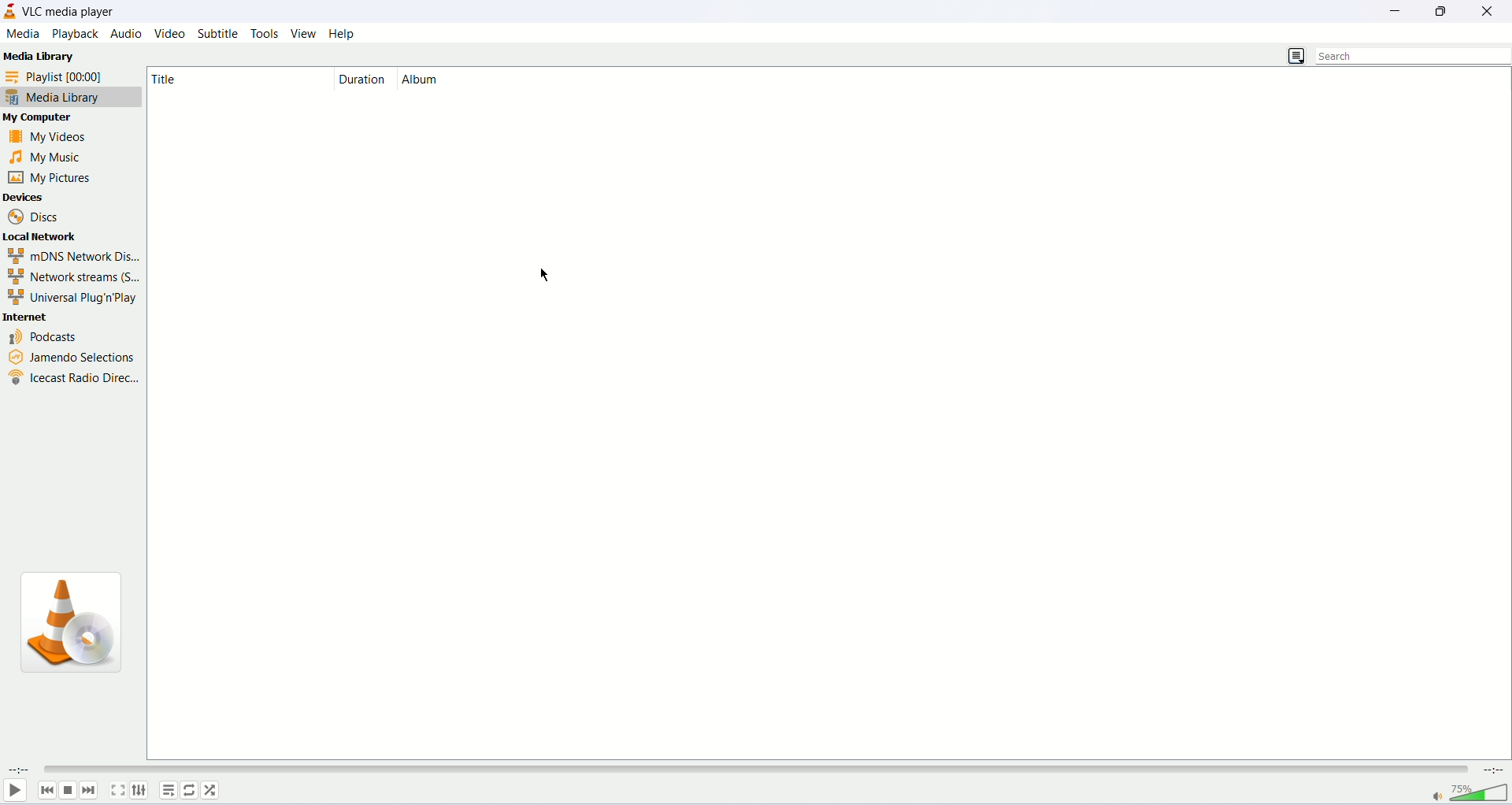  Describe the element at coordinates (11, 11) in the screenshot. I see `logo` at that location.